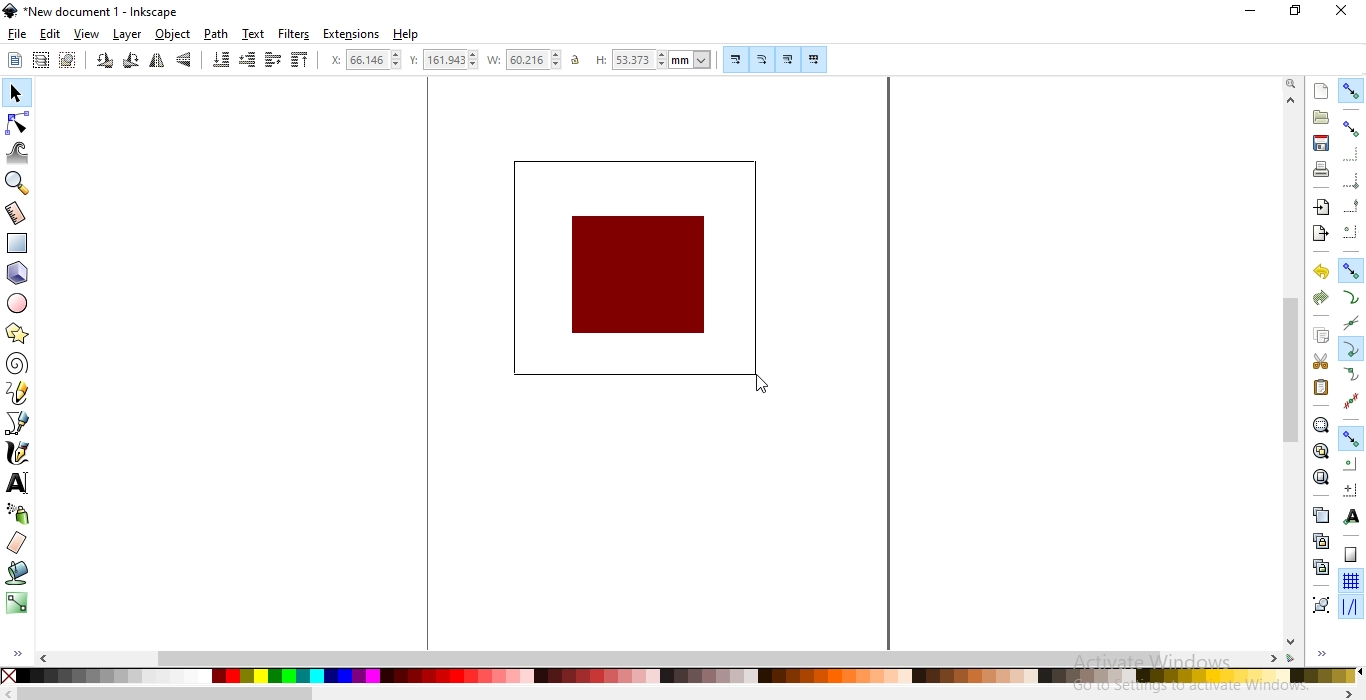 This screenshot has height=700, width=1366. Describe the element at coordinates (1319, 604) in the screenshot. I see `group selected objects` at that location.